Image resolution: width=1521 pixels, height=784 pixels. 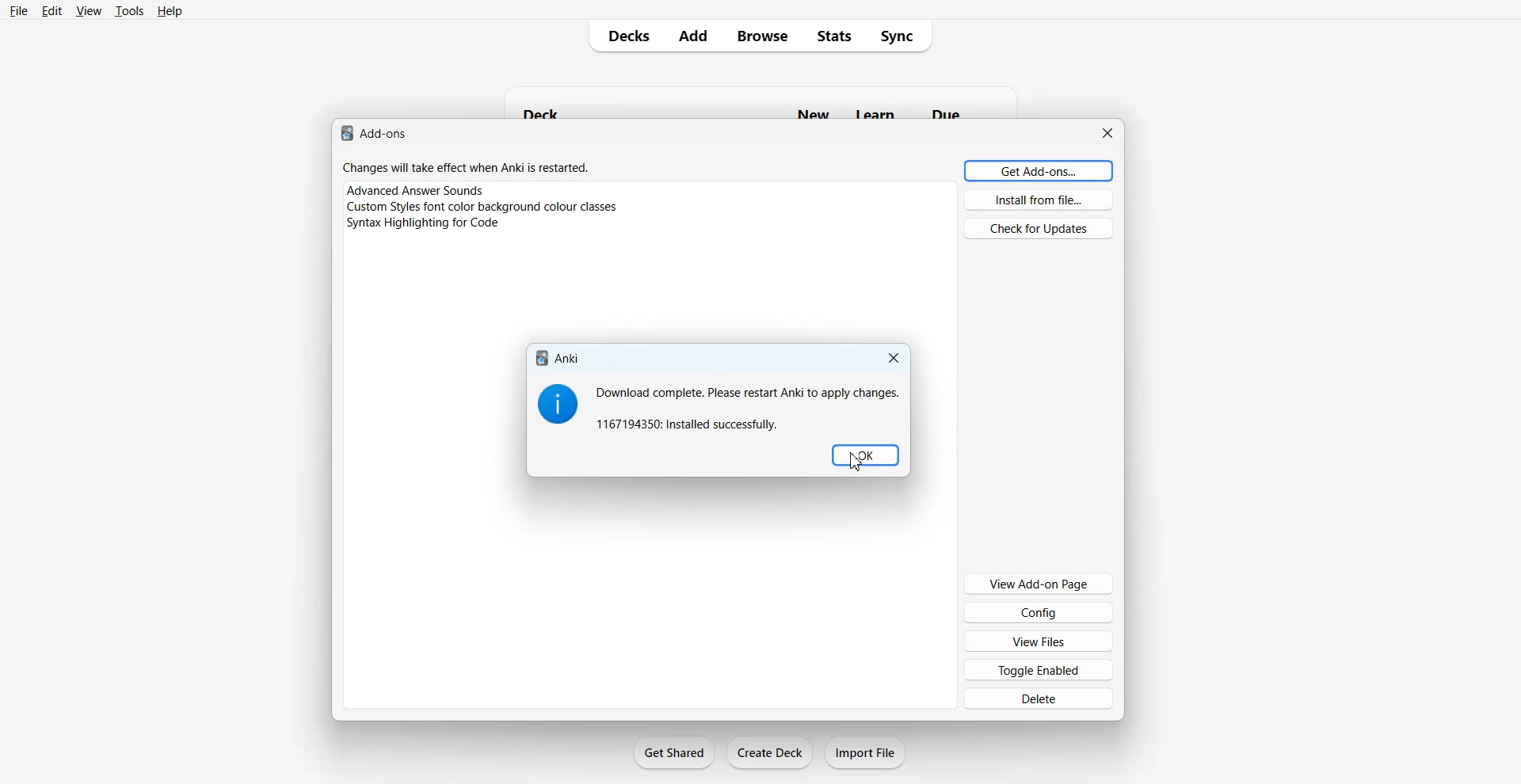 I want to click on Information, so click(x=559, y=406).